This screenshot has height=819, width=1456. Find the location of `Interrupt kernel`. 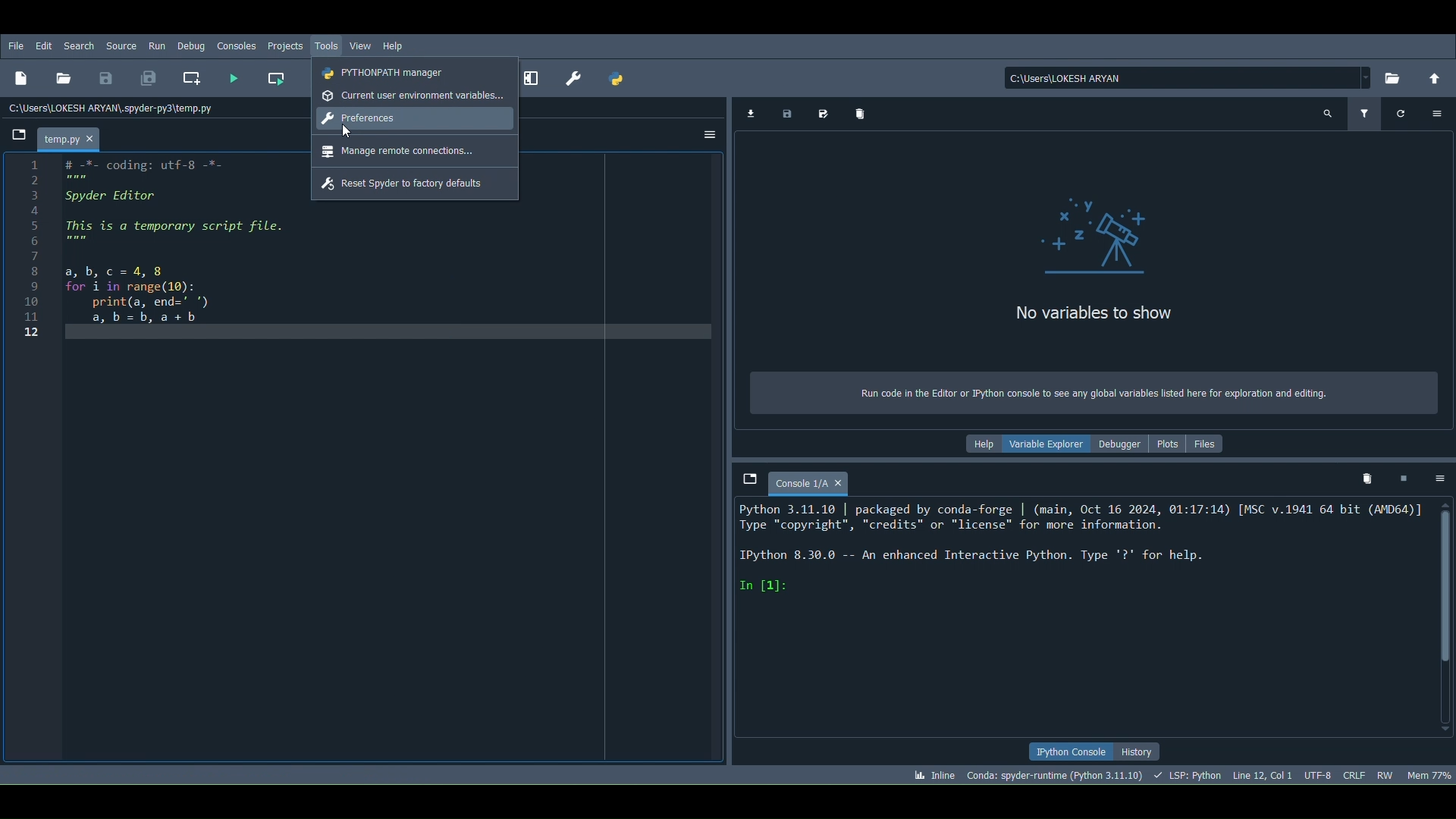

Interrupt kernel is located at coordinates (1402, 477).